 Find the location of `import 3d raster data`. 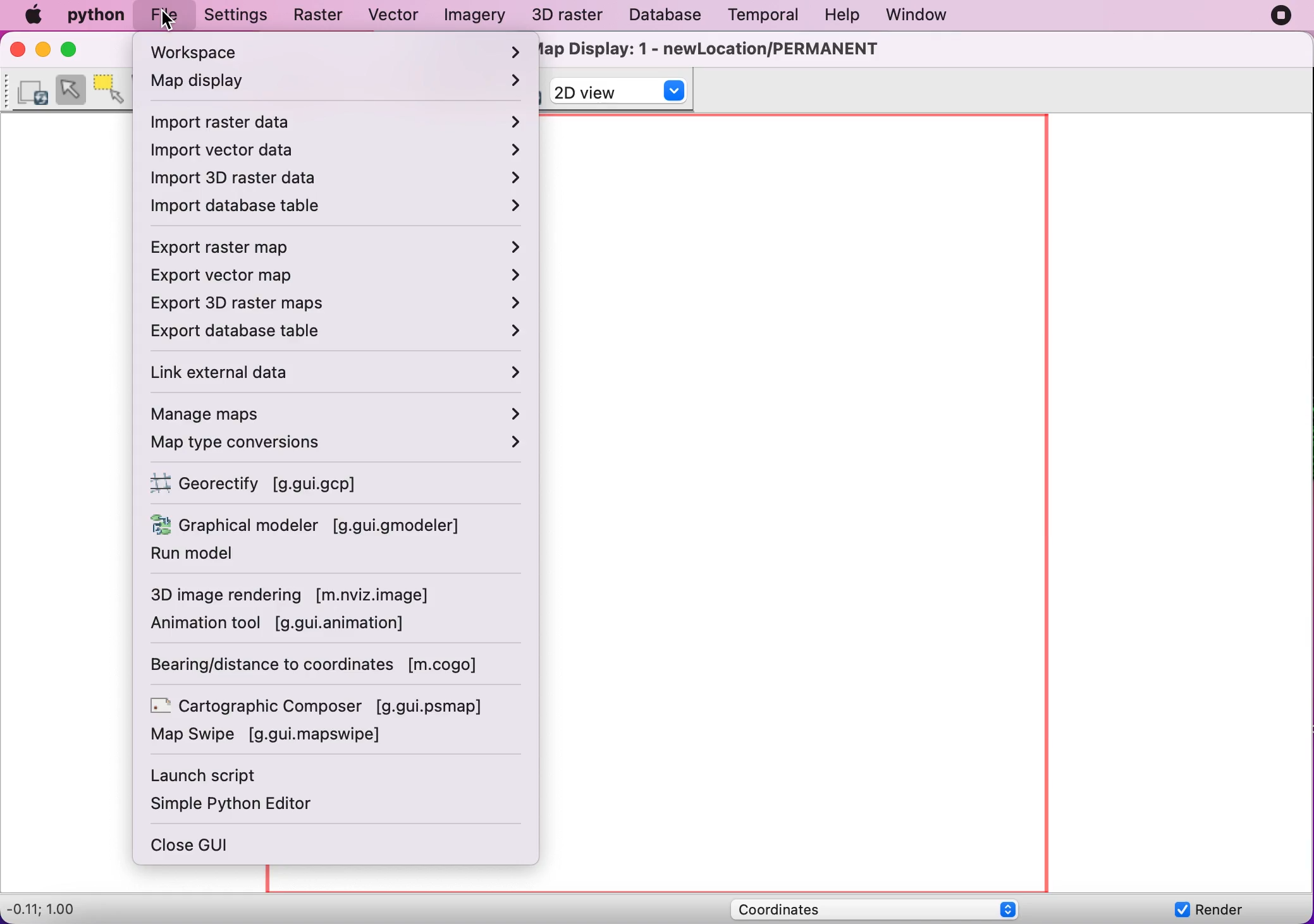

import 3d raster data is located at coordinates (339, 179).